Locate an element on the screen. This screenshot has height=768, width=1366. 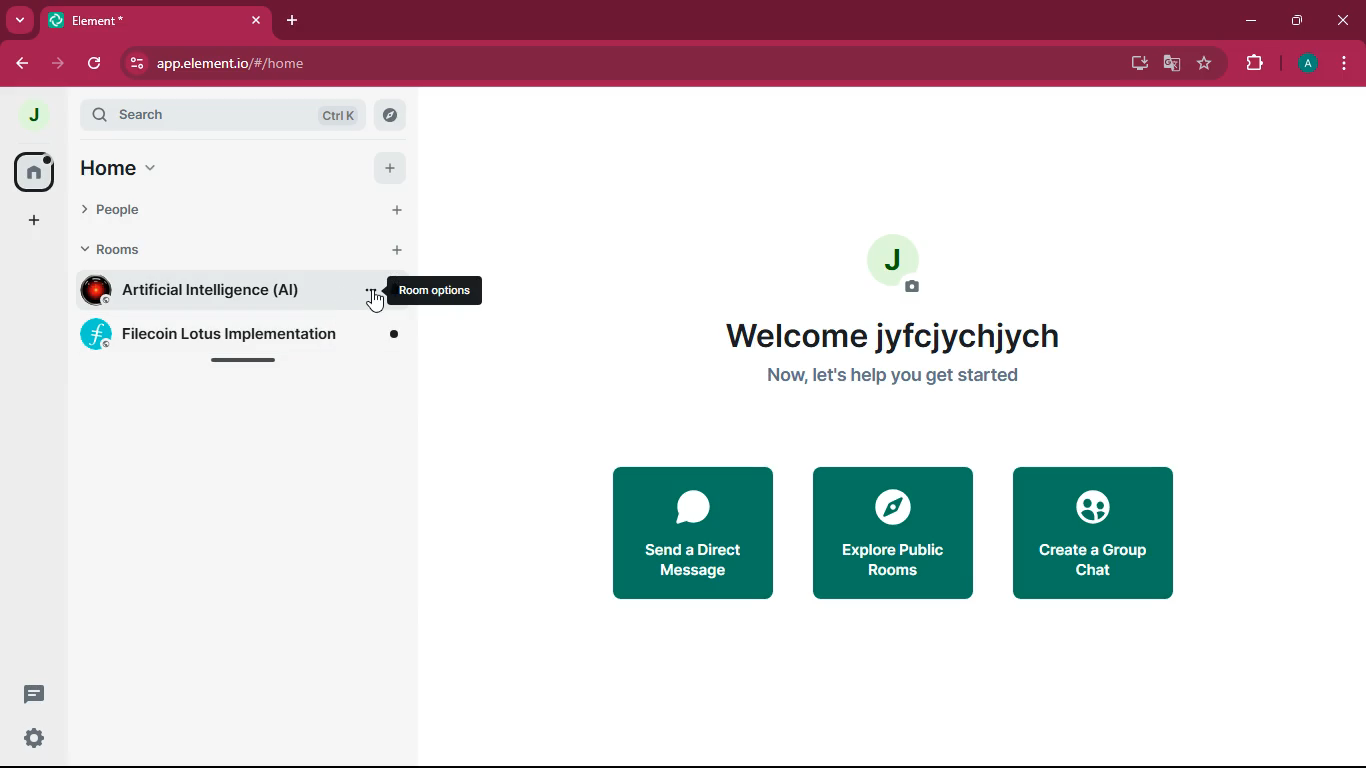
threads is located at coordinates (34, 693).